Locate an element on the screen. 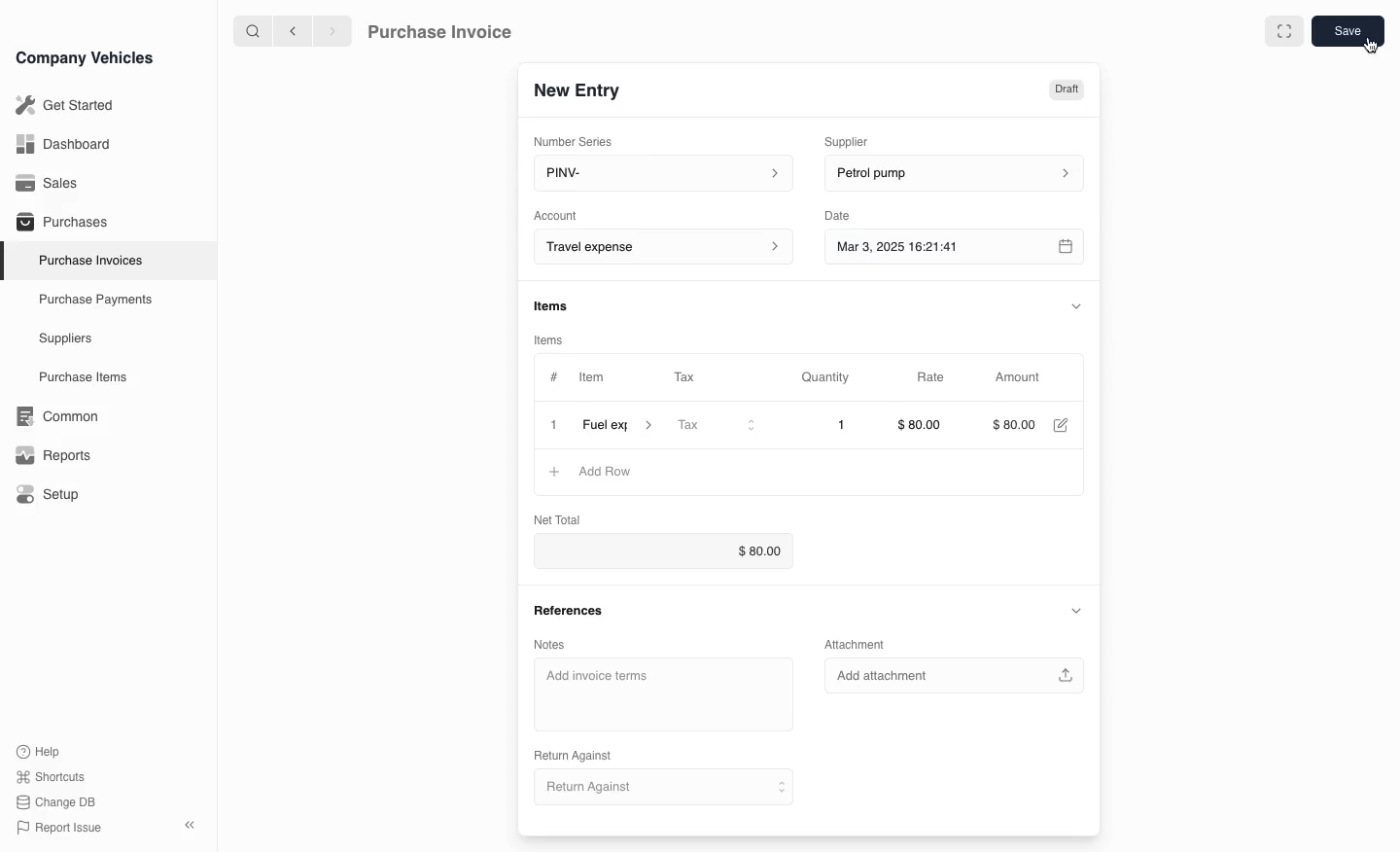 The height and width of the screenshot is (852, 1400). Get Started is located at coordinates (61, 105).